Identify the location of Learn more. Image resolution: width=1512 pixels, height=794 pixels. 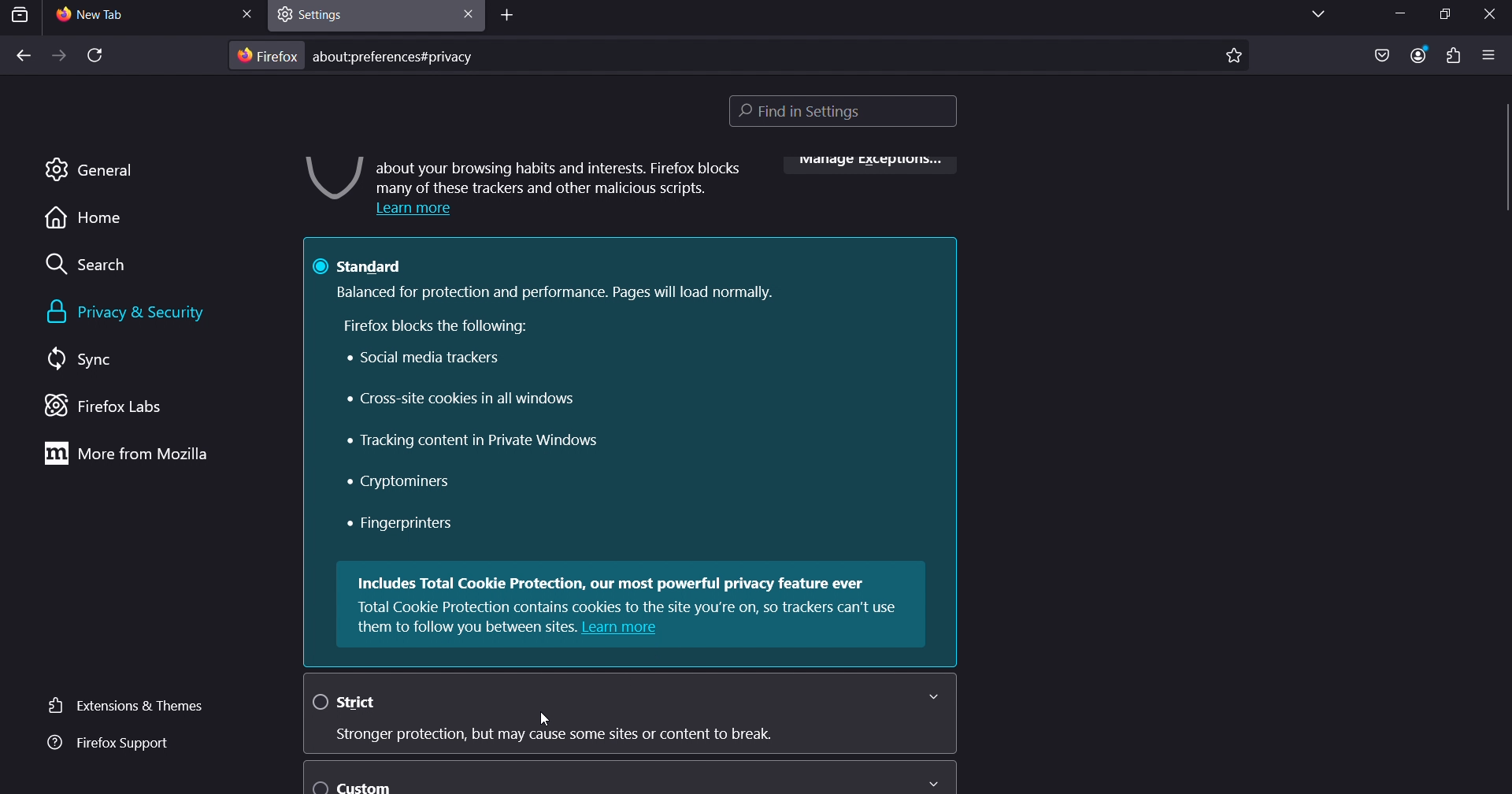
(421, 210).